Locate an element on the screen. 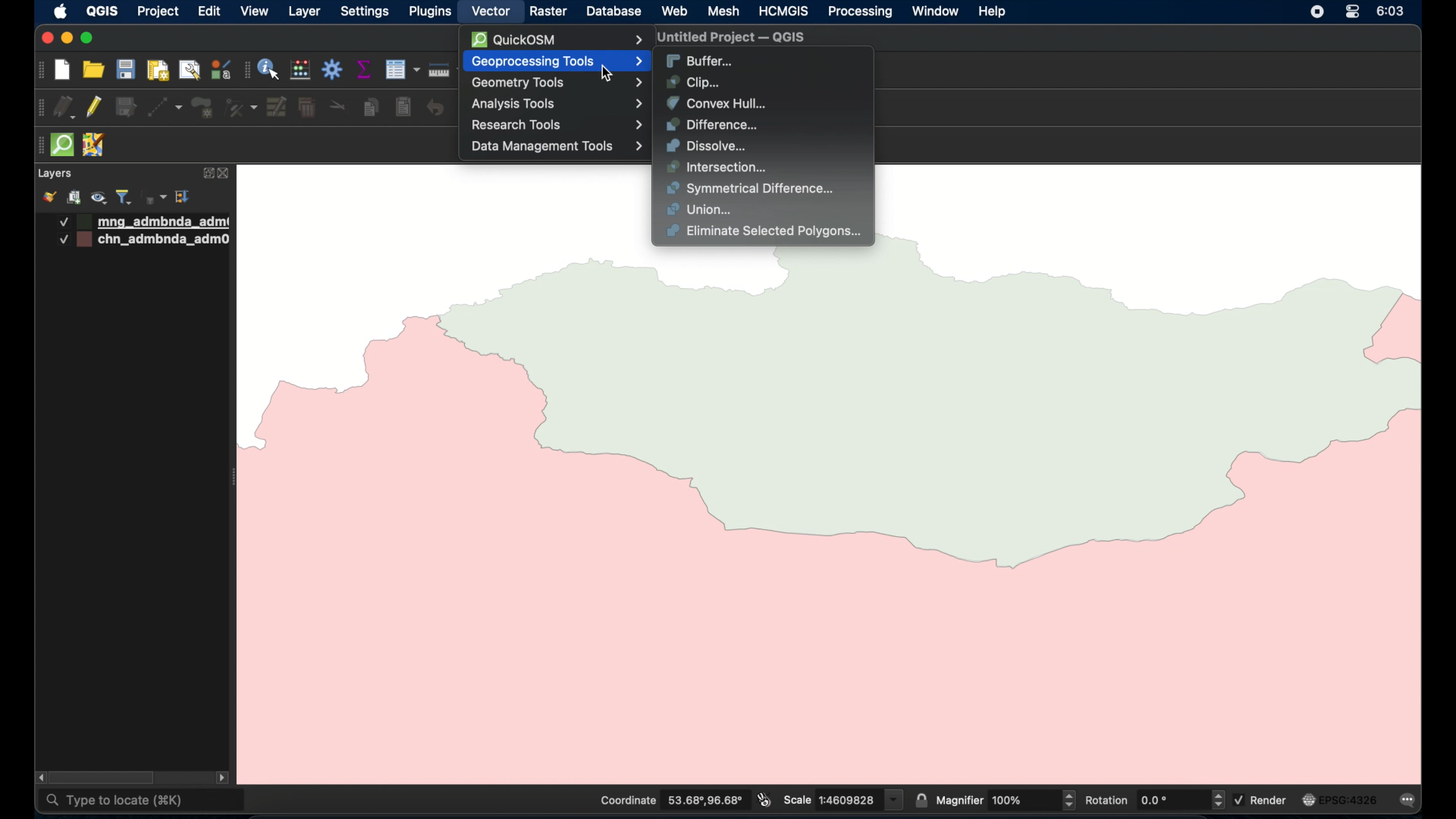  time is located at coordinates (1392, 11).